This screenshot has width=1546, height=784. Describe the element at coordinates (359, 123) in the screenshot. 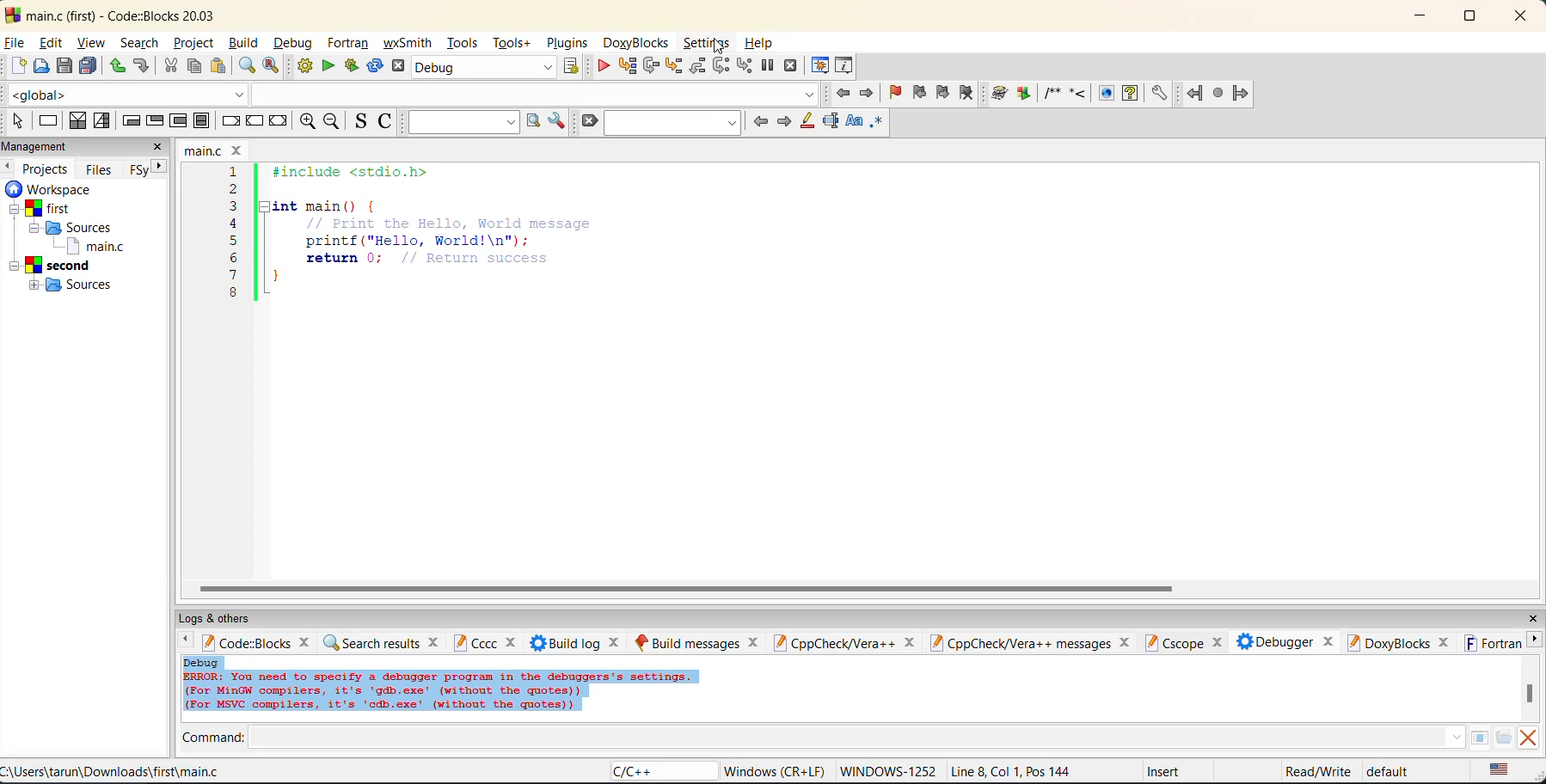

I see `toggle source` at that location.